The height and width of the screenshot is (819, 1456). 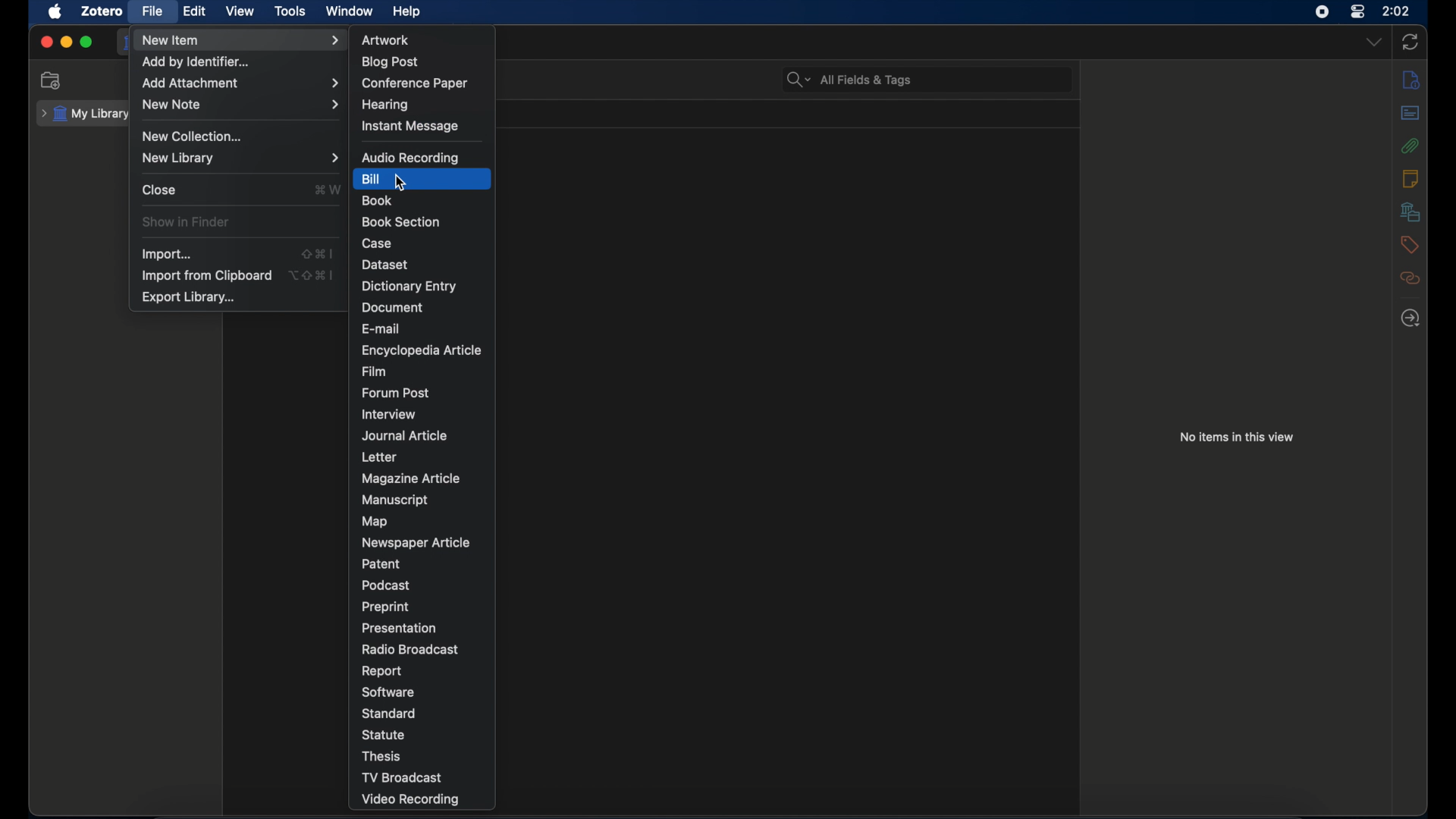 I want to click on thesis, so click(x=383, y=756).